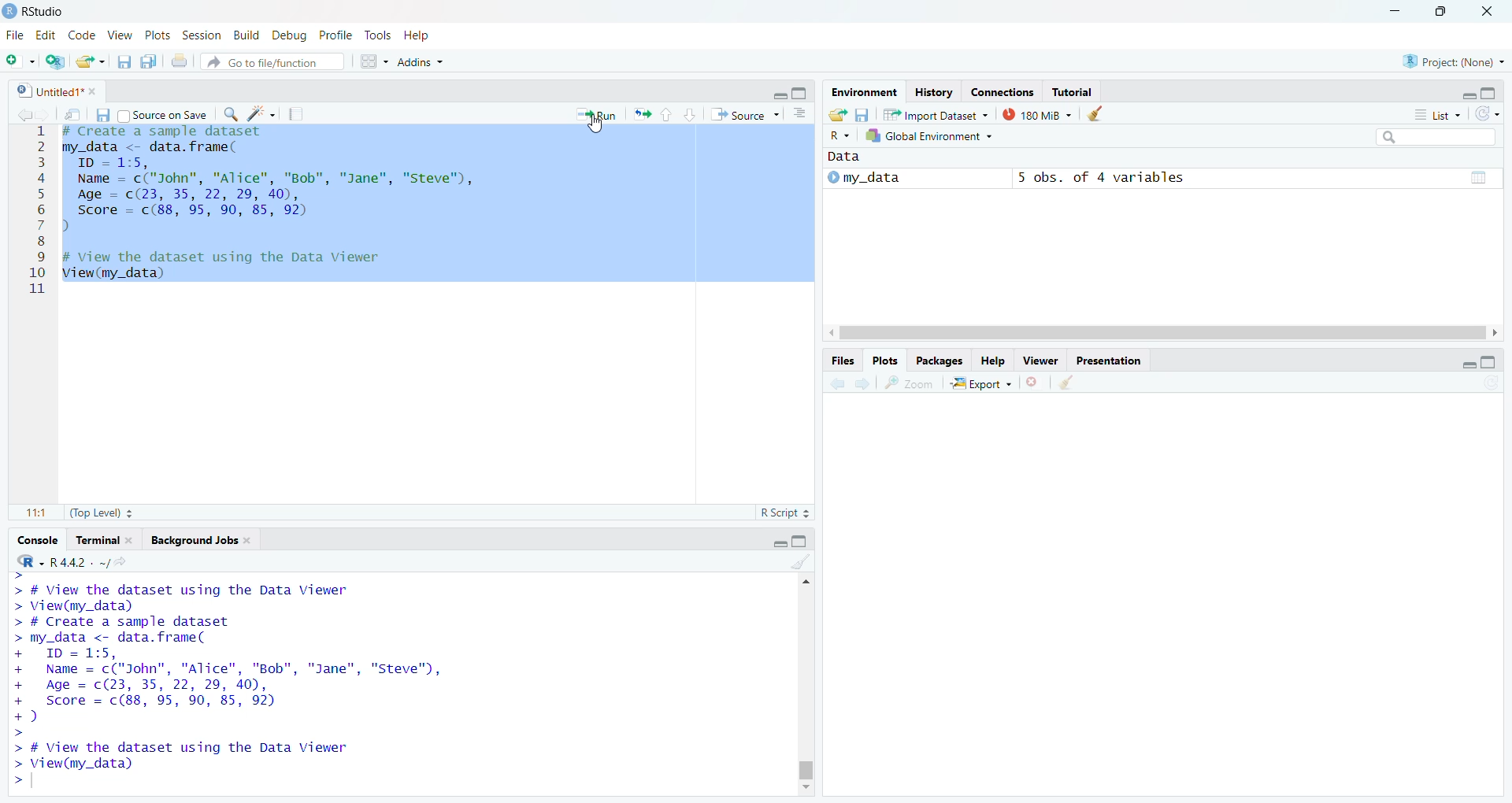  I want to click on Close, so click(1485, 12).